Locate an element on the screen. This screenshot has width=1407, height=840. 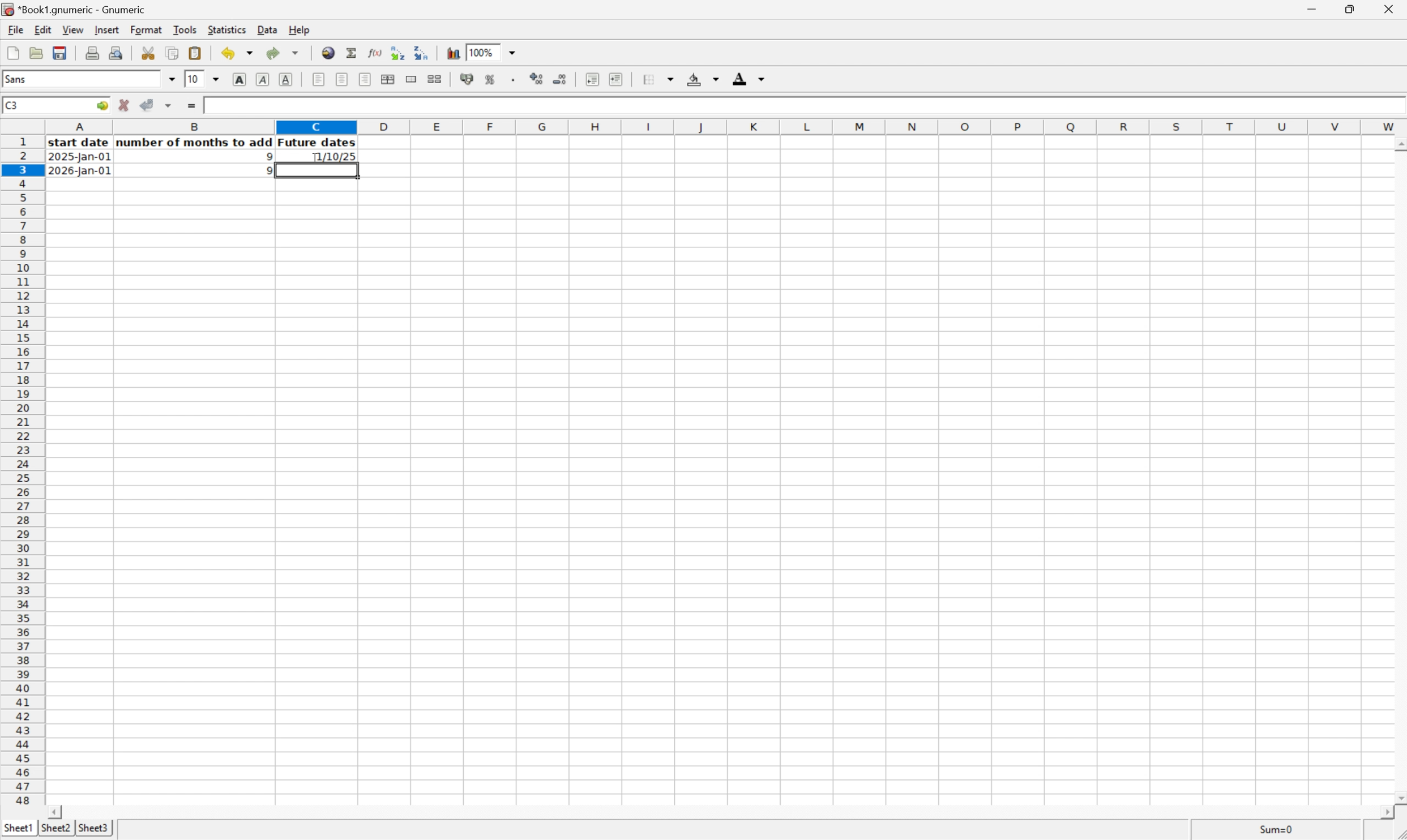
Underline is located at coordinates (288, 79).